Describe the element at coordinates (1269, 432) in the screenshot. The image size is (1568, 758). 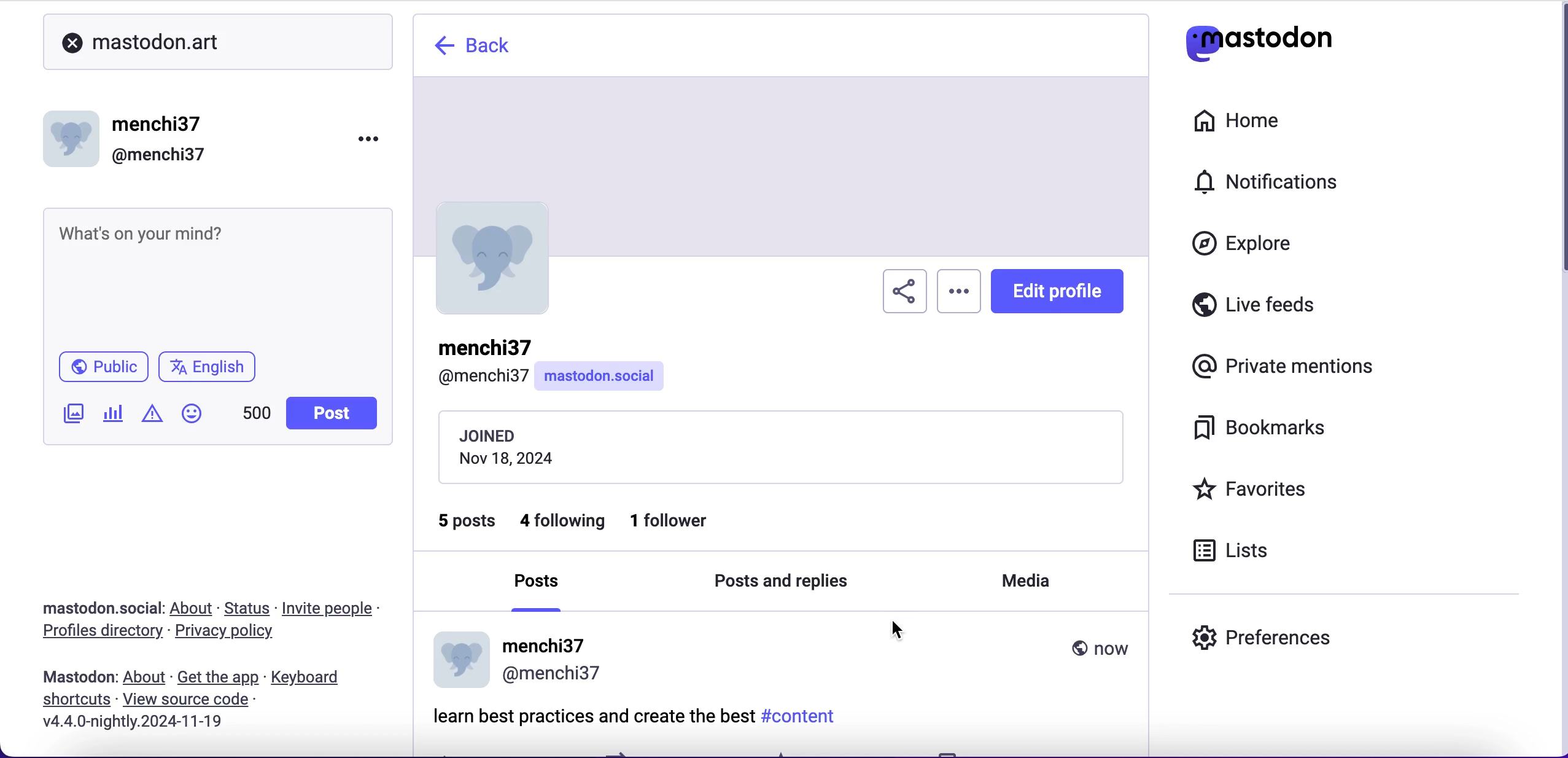
I see `bookmarks` at that location.